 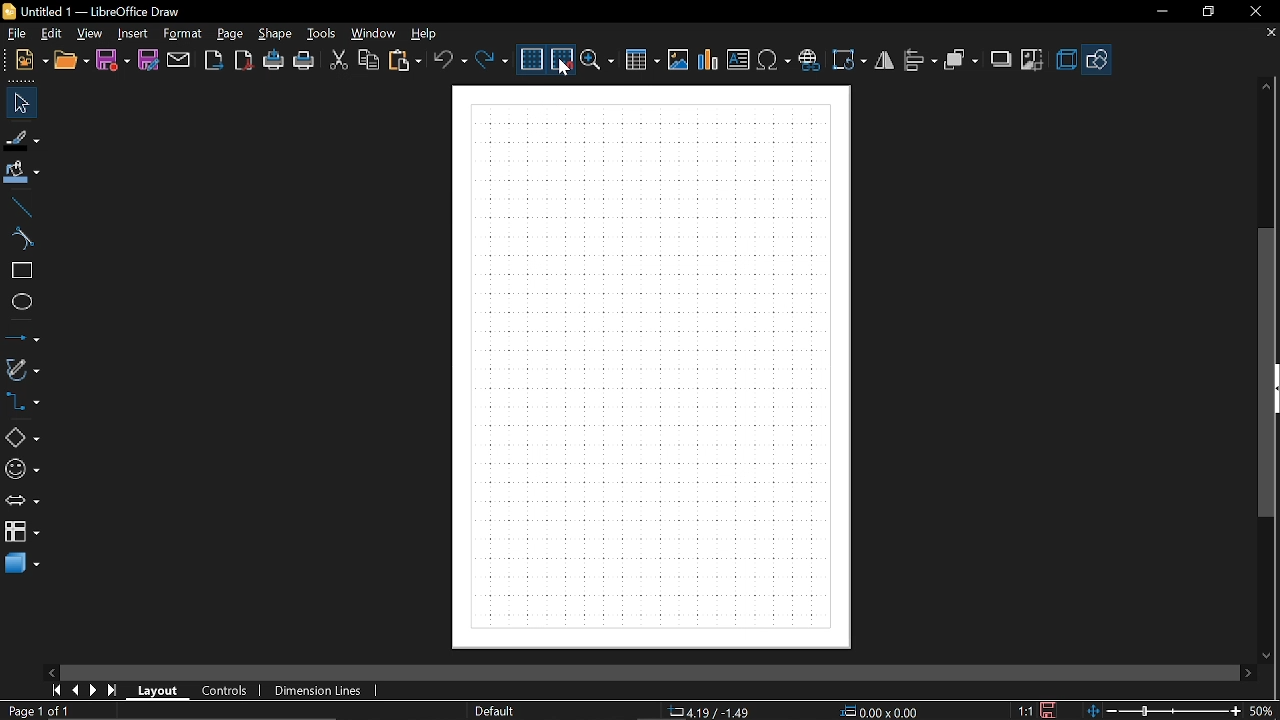 What do you see at coordinates (564, 68) in the screenshot?
I see `Cursor` at bounding box center [564, 68].